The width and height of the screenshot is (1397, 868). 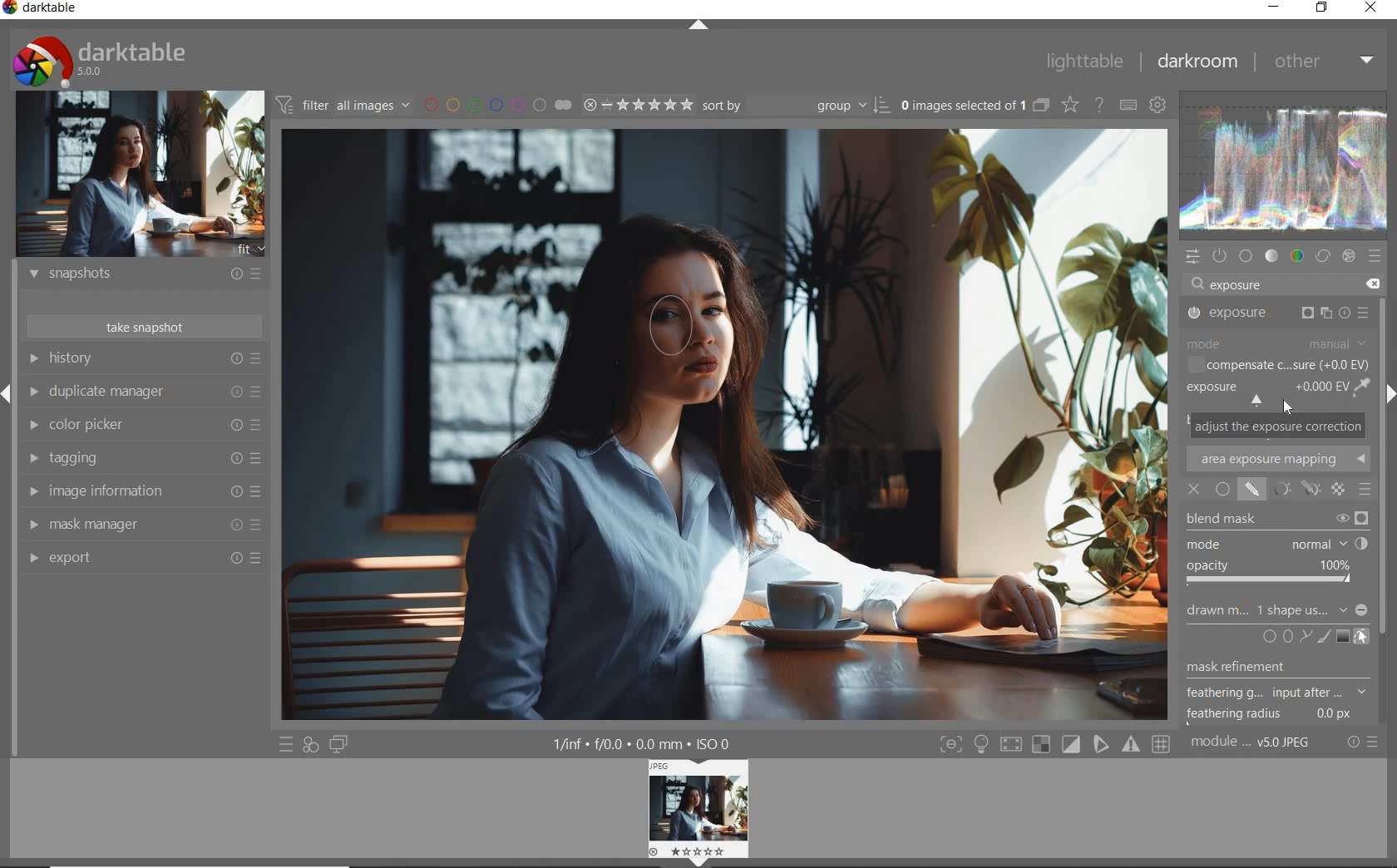 What do you see at coordinates (1055, 744) in the screenshot?
I see `toggle modes` at bounding box center [1055, 744].